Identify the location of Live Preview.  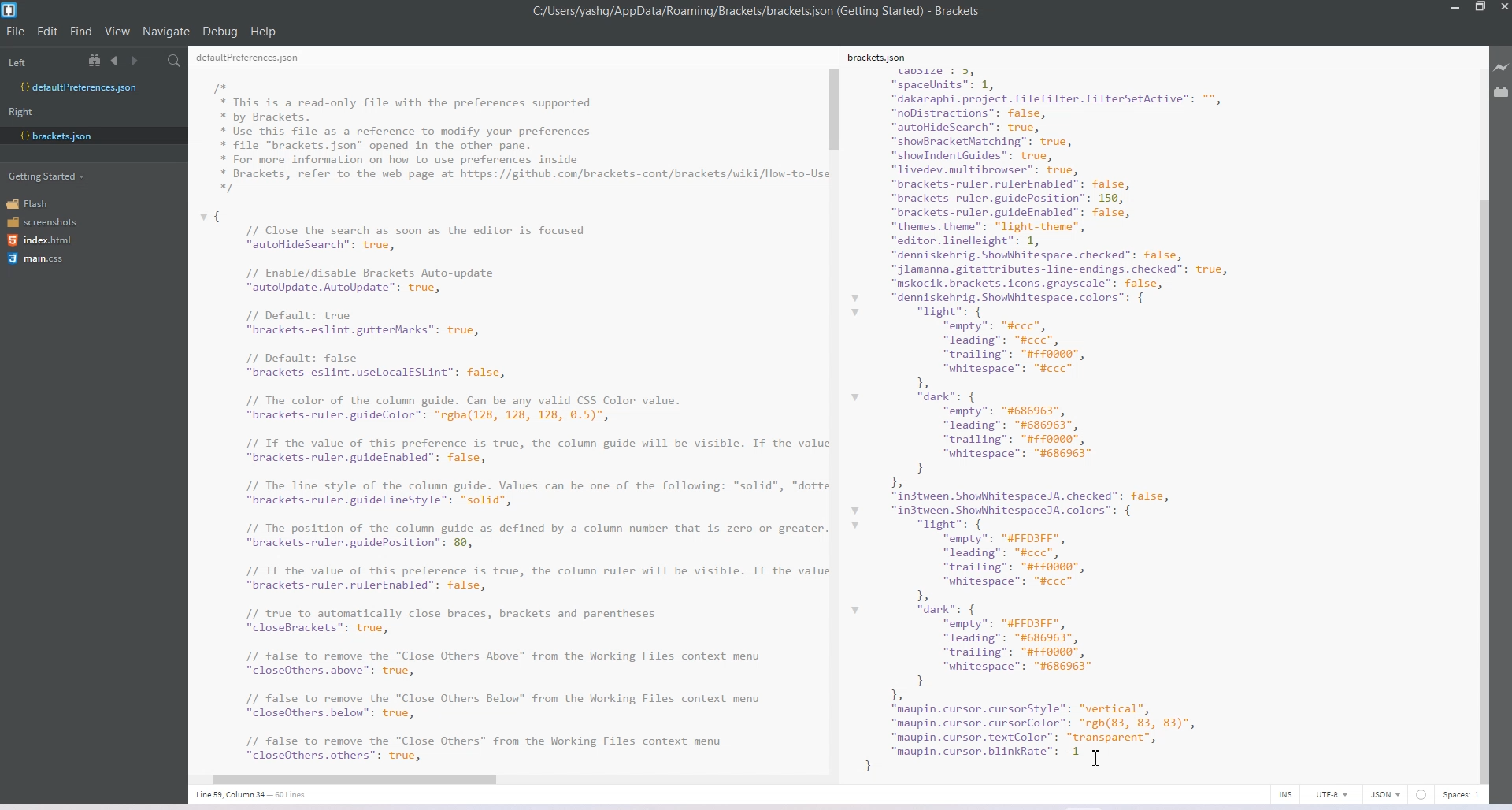
(1502, 68).